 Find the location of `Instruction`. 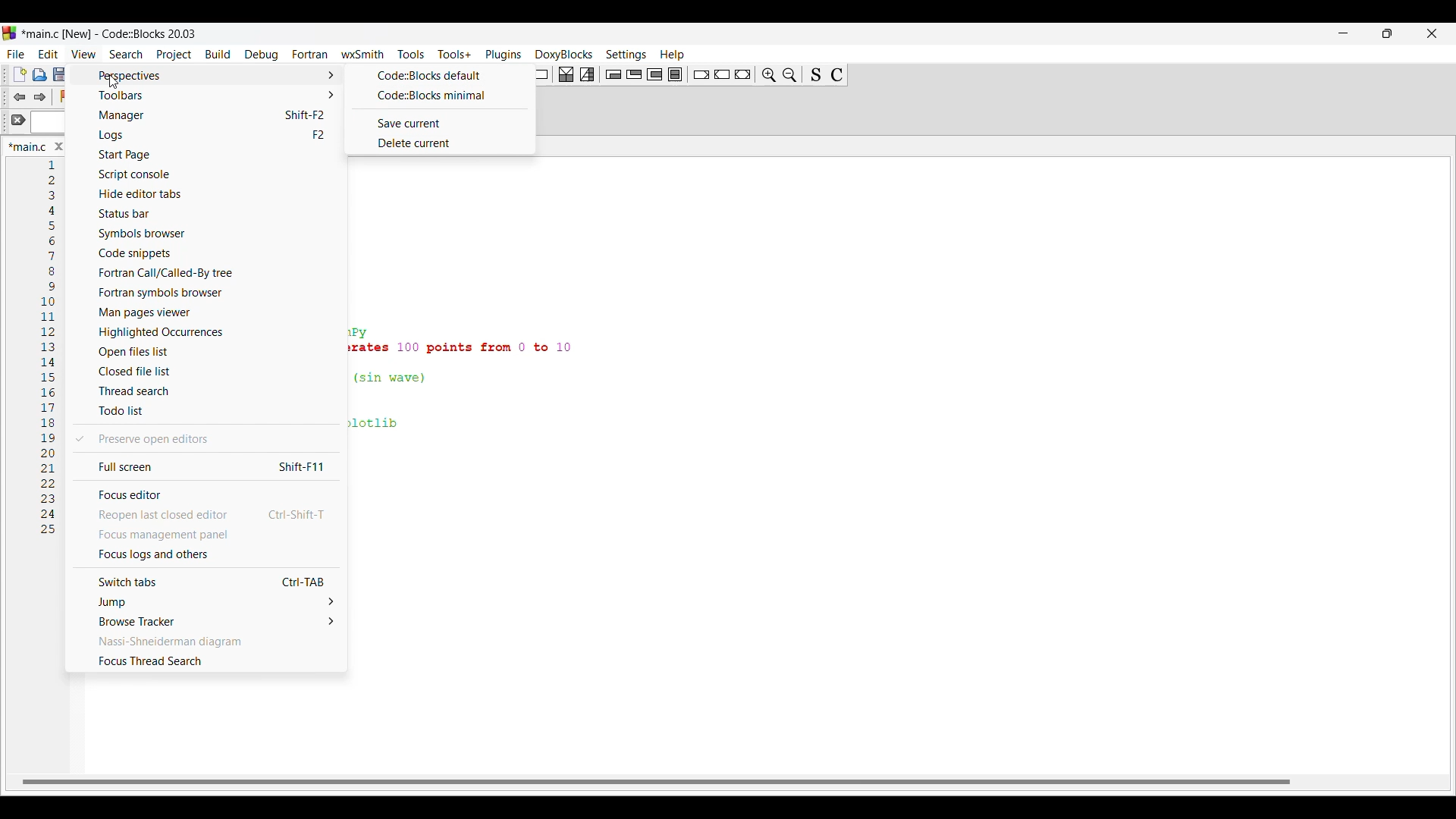

Instruction is located at coordinates (538, 74).